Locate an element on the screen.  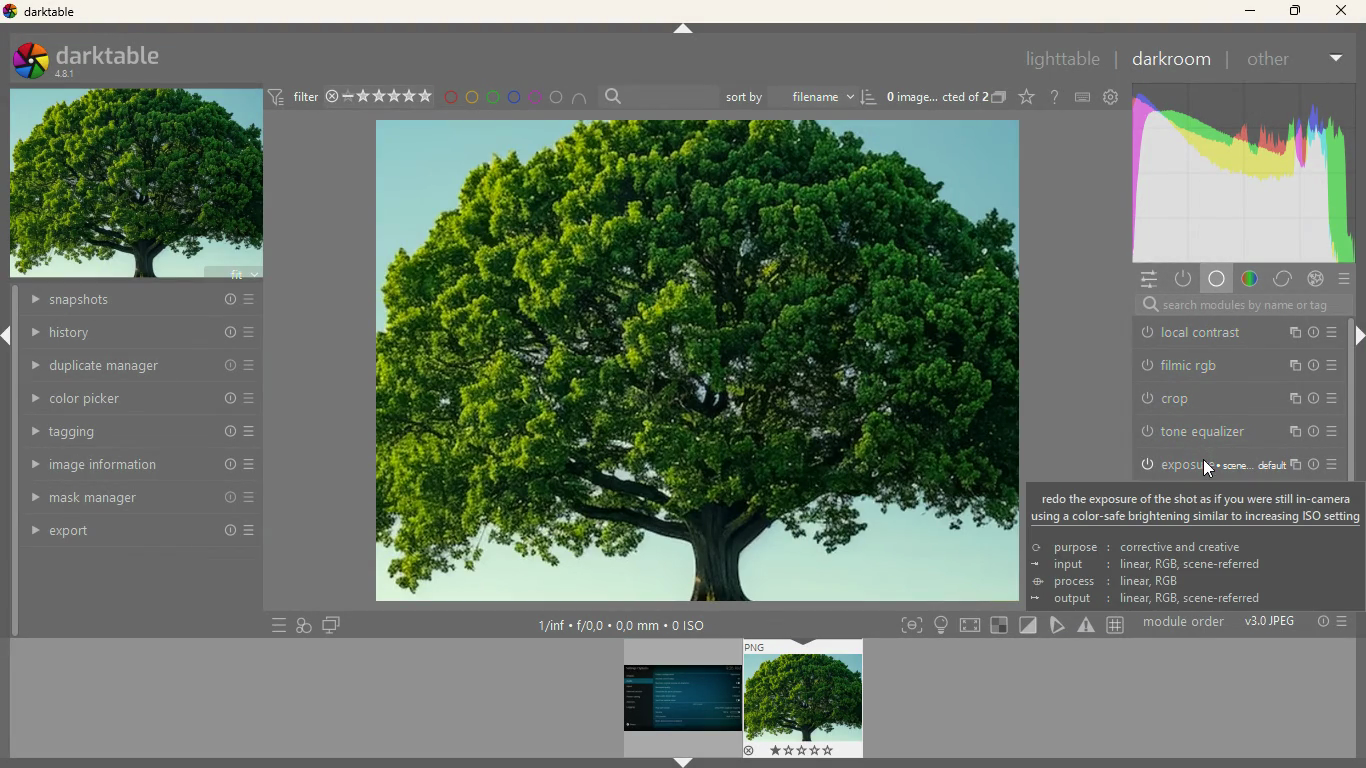
settings is located at coordinates (1147, 279).